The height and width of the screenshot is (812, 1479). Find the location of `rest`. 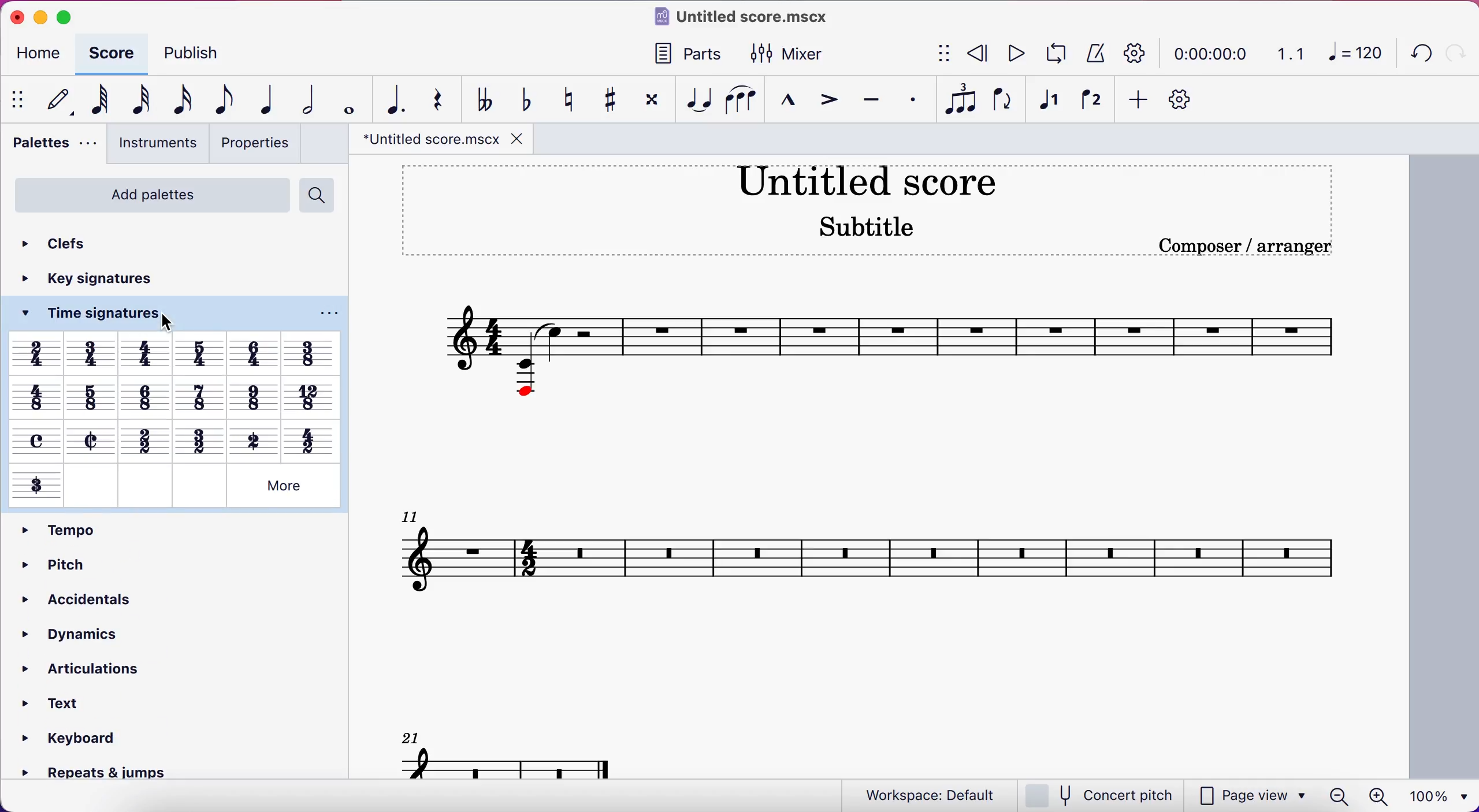

rest is located at coordinates (432, 99).